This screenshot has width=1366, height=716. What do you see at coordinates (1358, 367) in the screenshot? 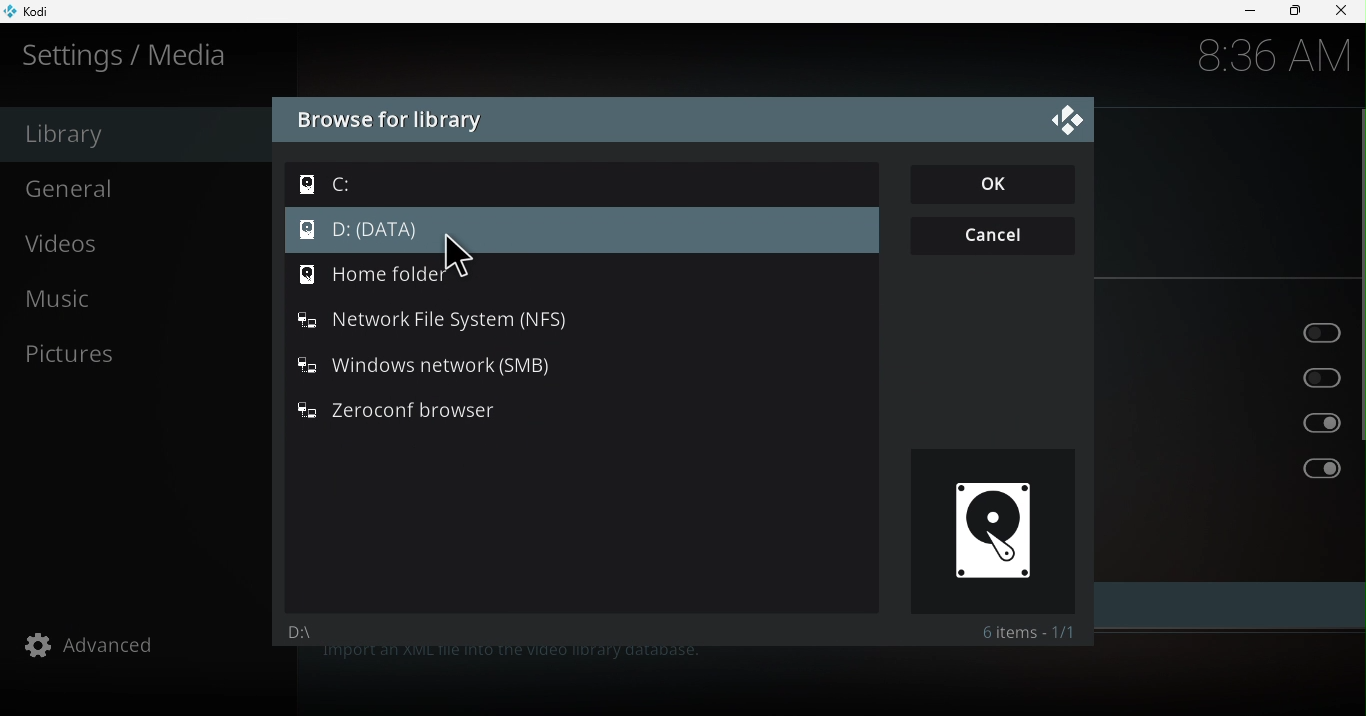
I see `scroll bar` at bounding box center [1358, 367].